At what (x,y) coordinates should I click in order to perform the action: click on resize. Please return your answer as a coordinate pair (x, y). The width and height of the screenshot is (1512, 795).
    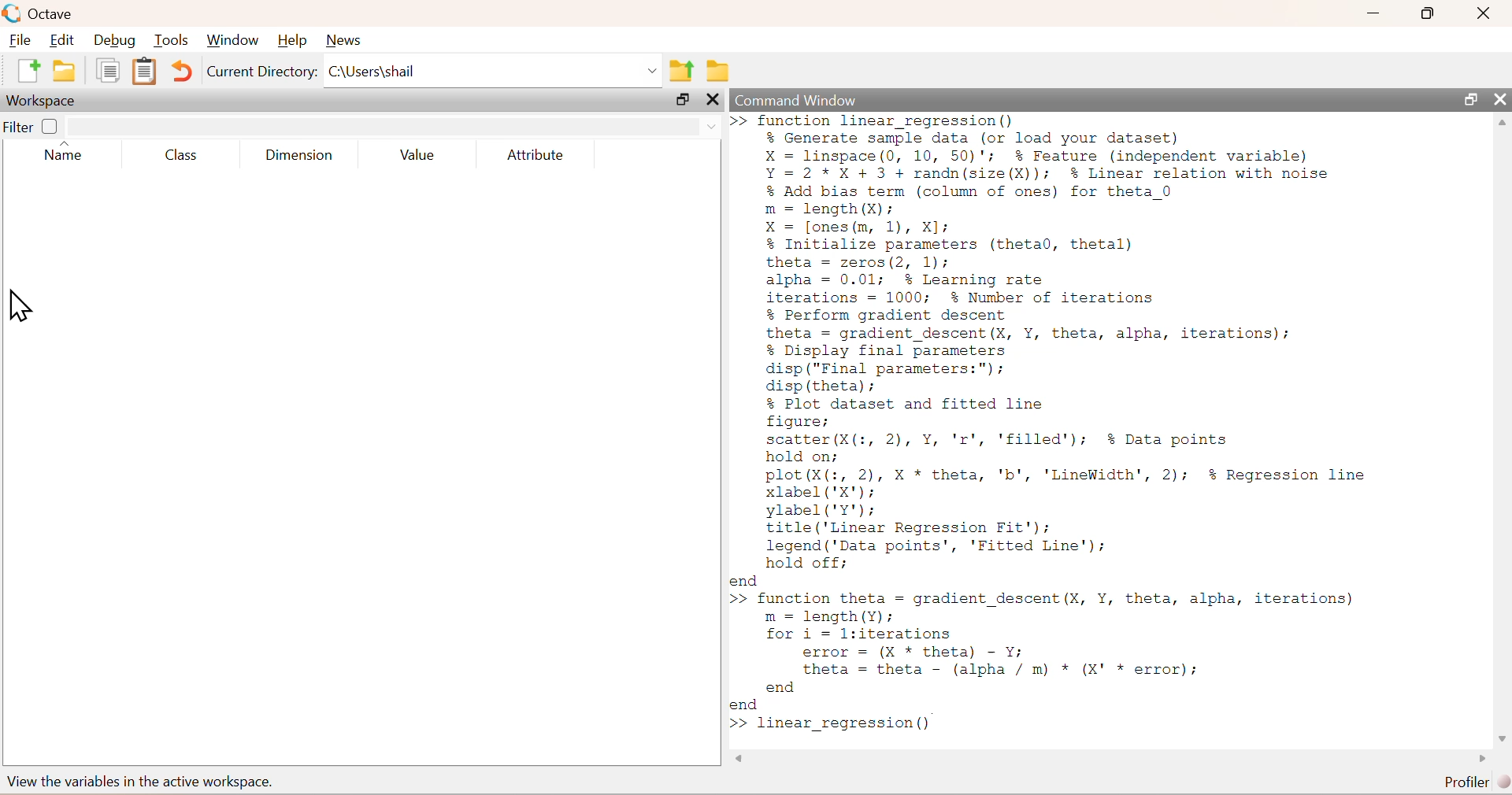
    Looking at the image, I should click on (684, 99).